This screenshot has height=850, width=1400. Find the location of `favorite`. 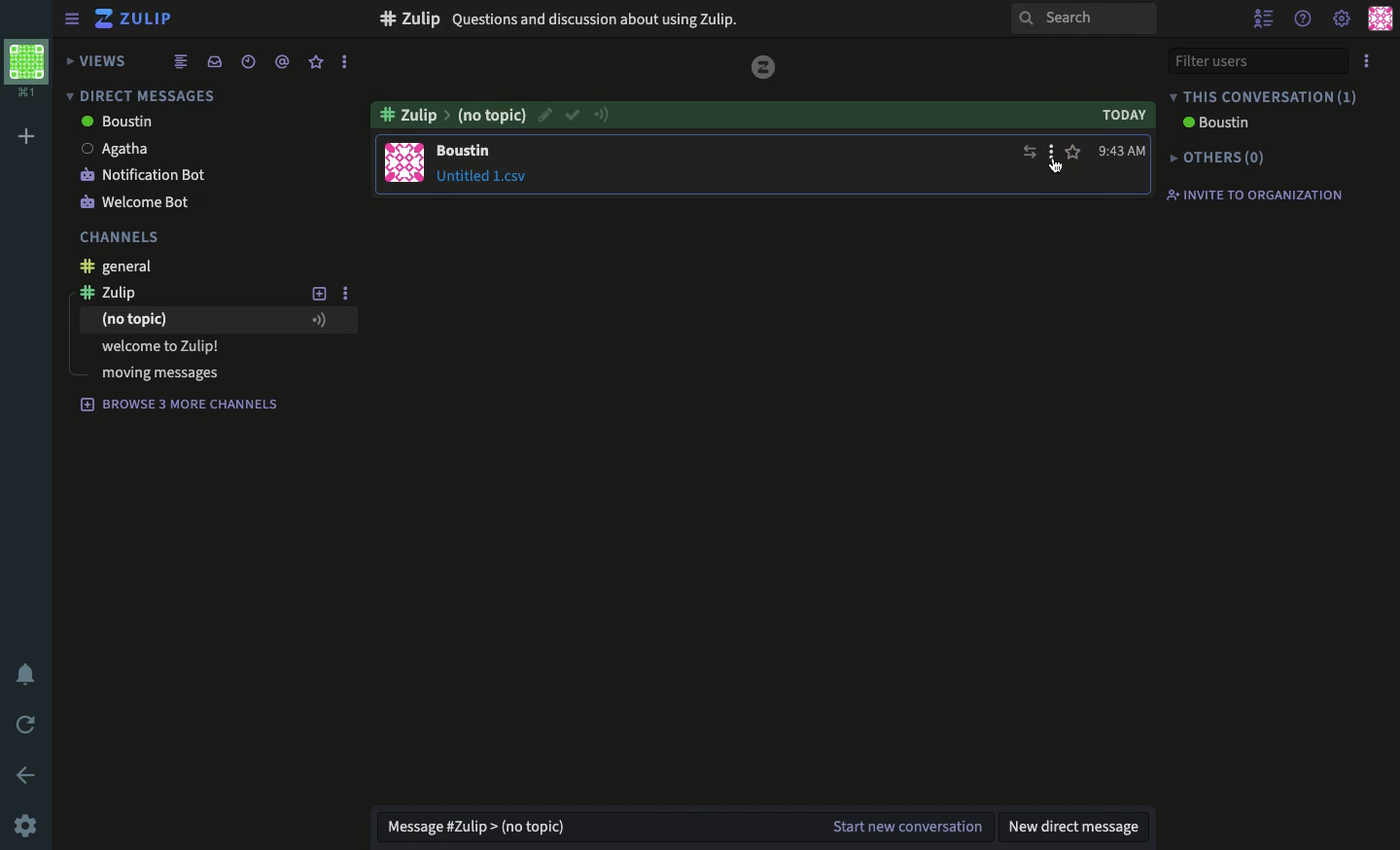

favorite is located at coordinates (316, 62).